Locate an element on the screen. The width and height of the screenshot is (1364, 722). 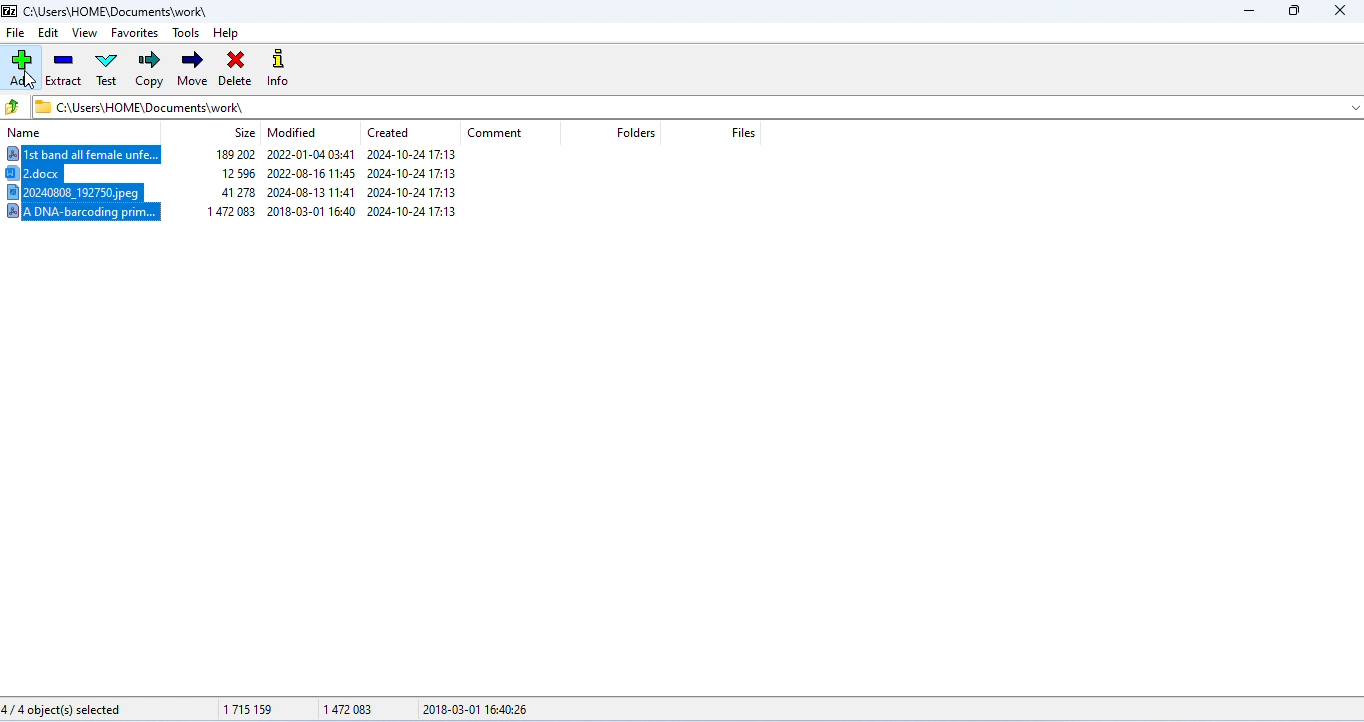
move is located at coordinates (192, 69).